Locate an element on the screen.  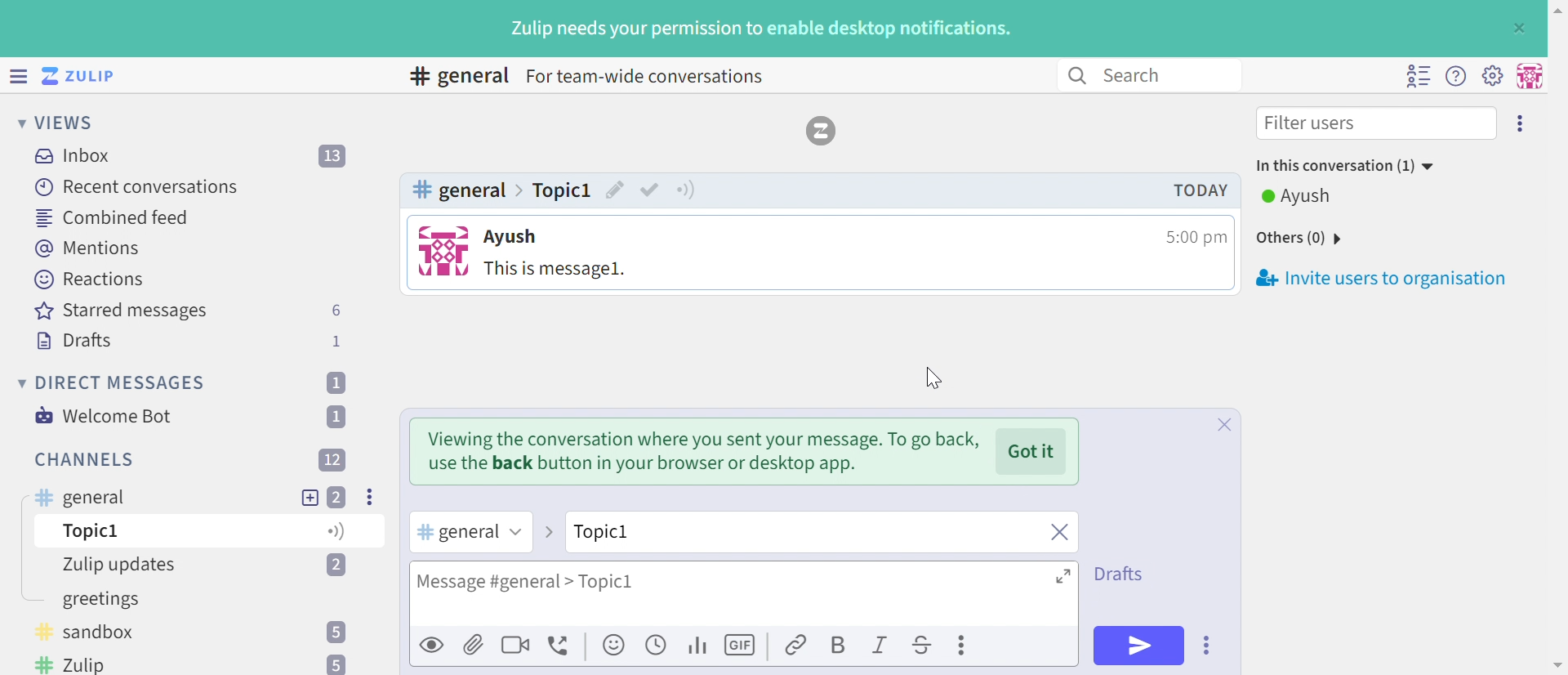
move down is located at coordinates (1557, 665).